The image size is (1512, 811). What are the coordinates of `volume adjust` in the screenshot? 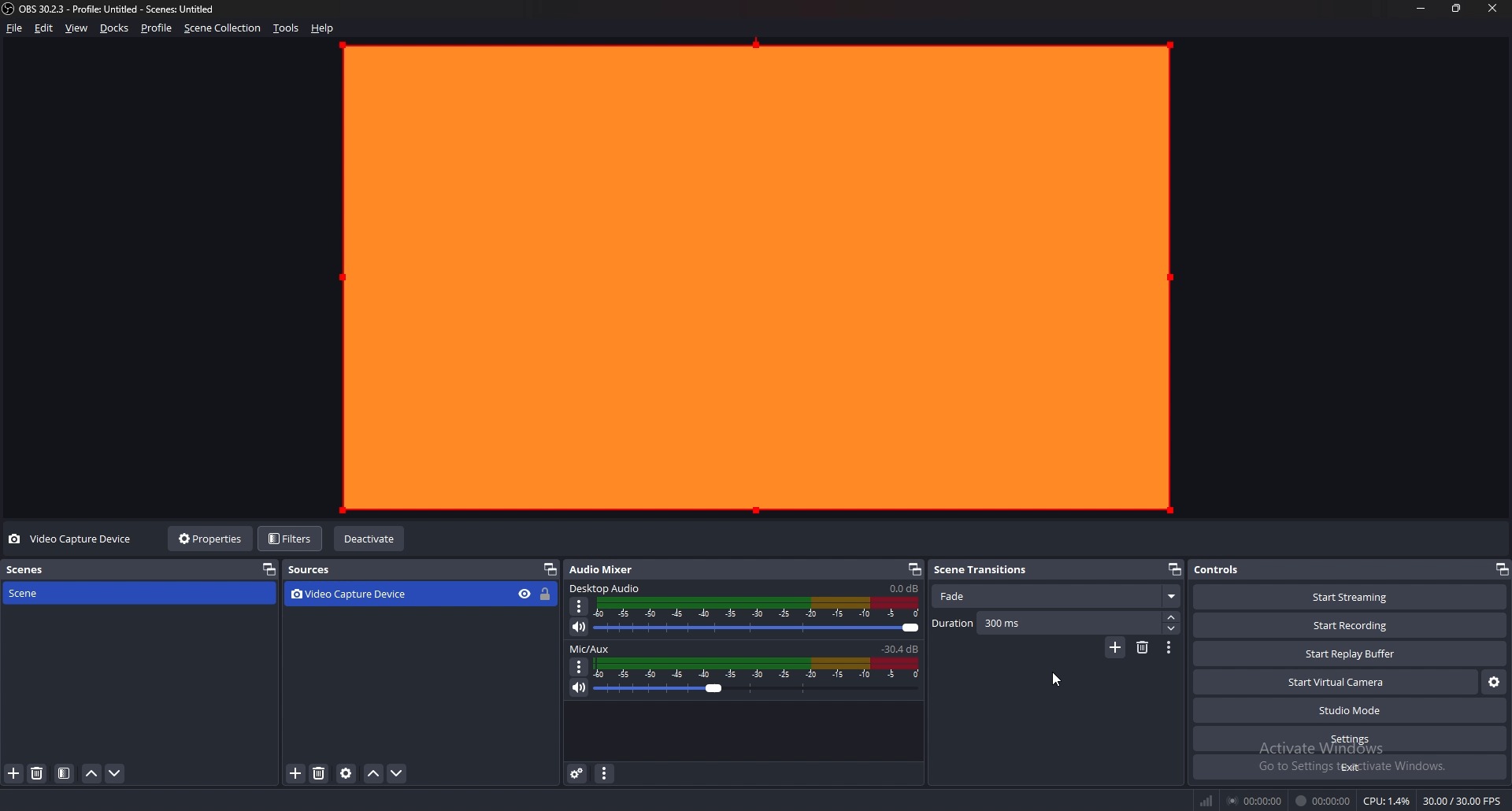 It's located at (759, 615).